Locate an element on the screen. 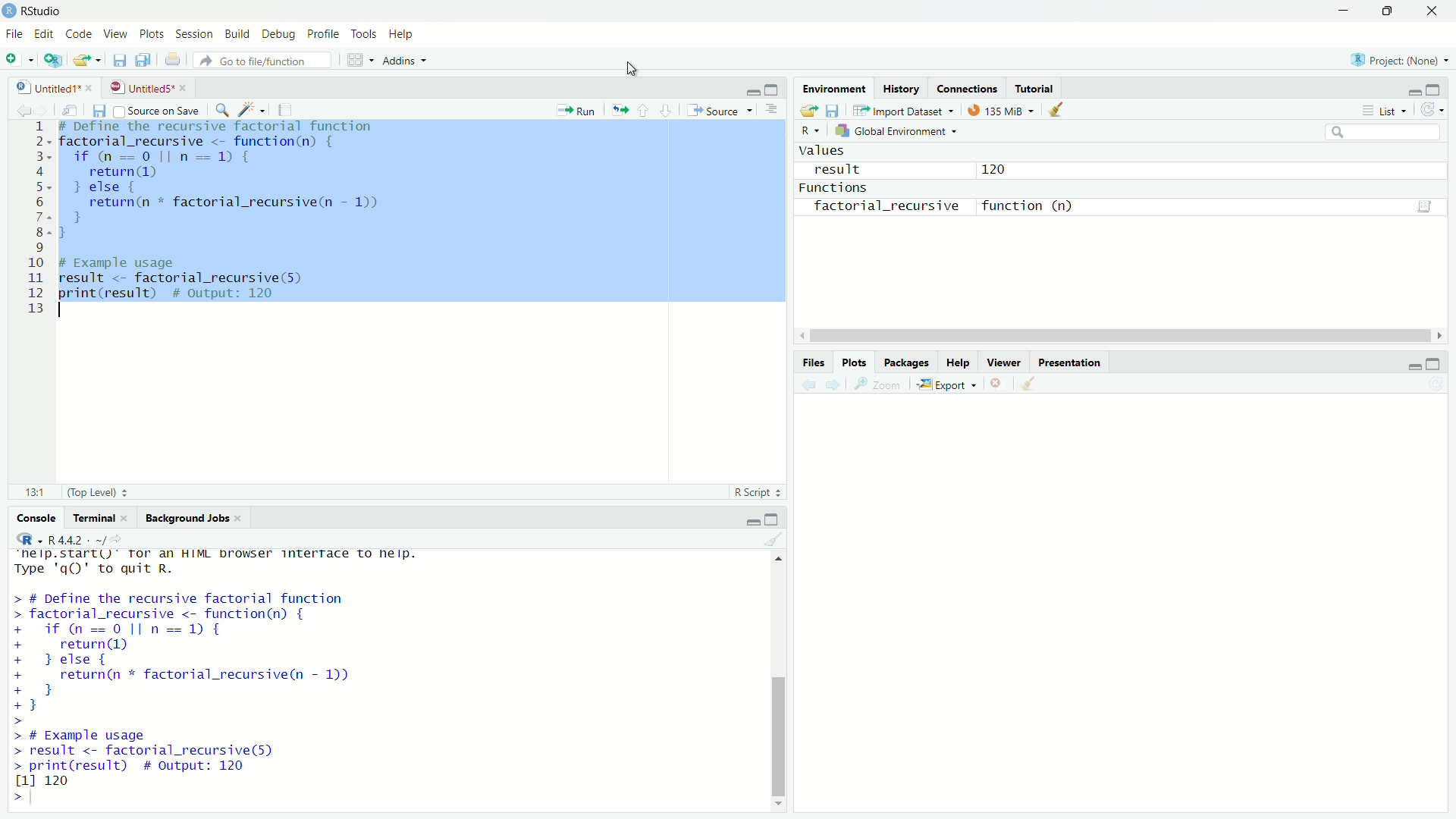  List is located at coordinates (1383, 110).